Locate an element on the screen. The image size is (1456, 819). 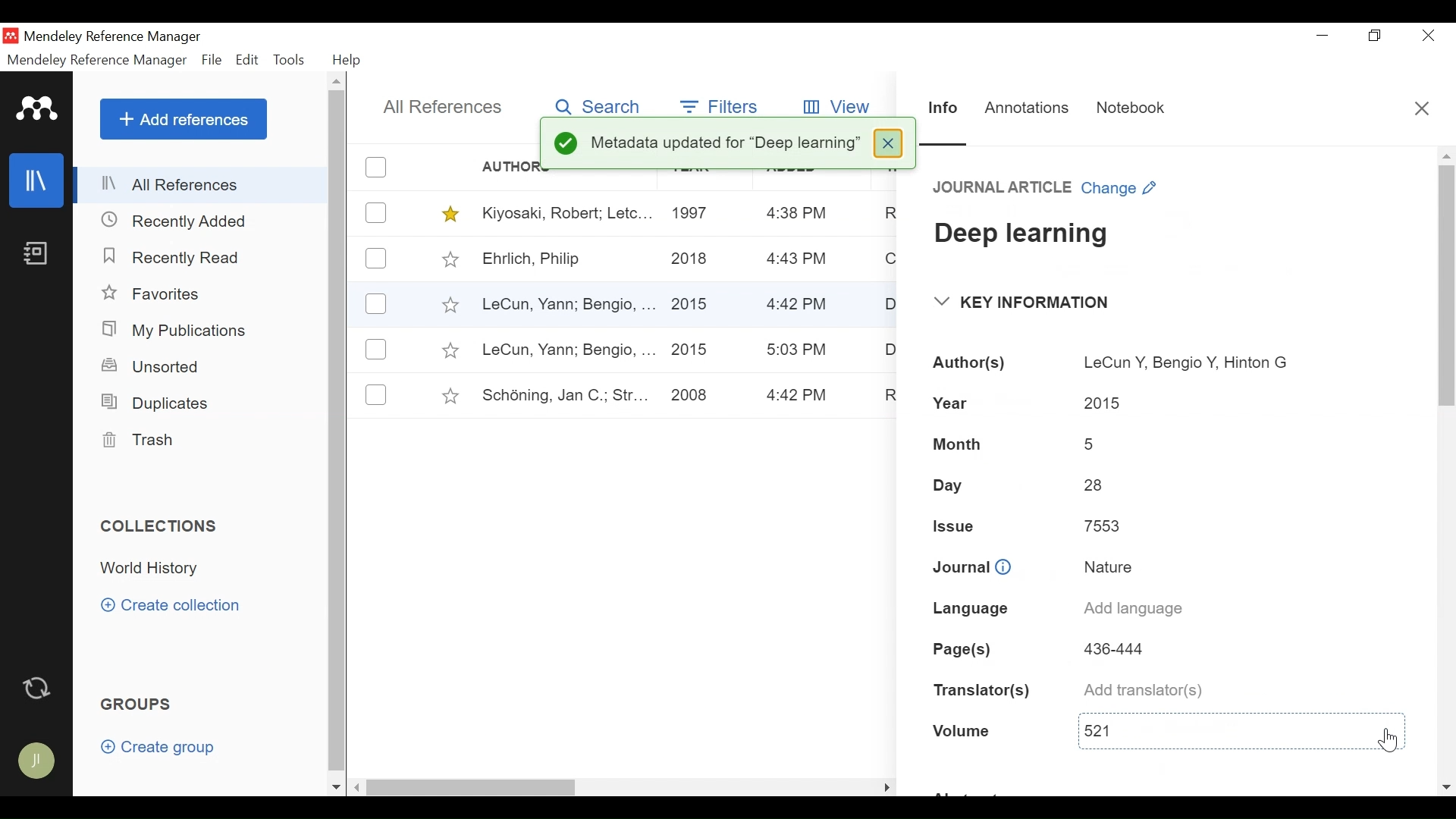
Favorites is located at coordinates (162, 295).